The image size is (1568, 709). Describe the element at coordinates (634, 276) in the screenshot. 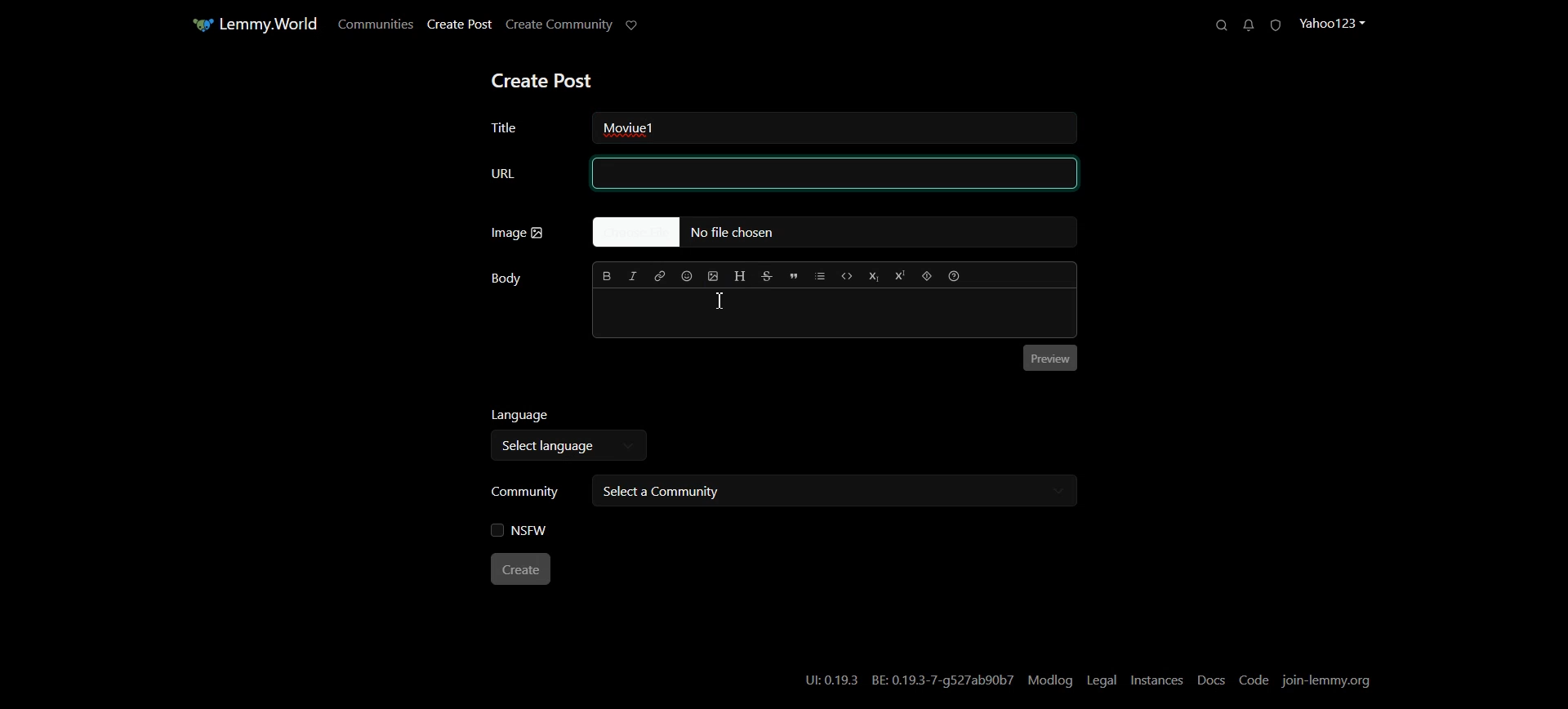

I see `Italic` at that location.